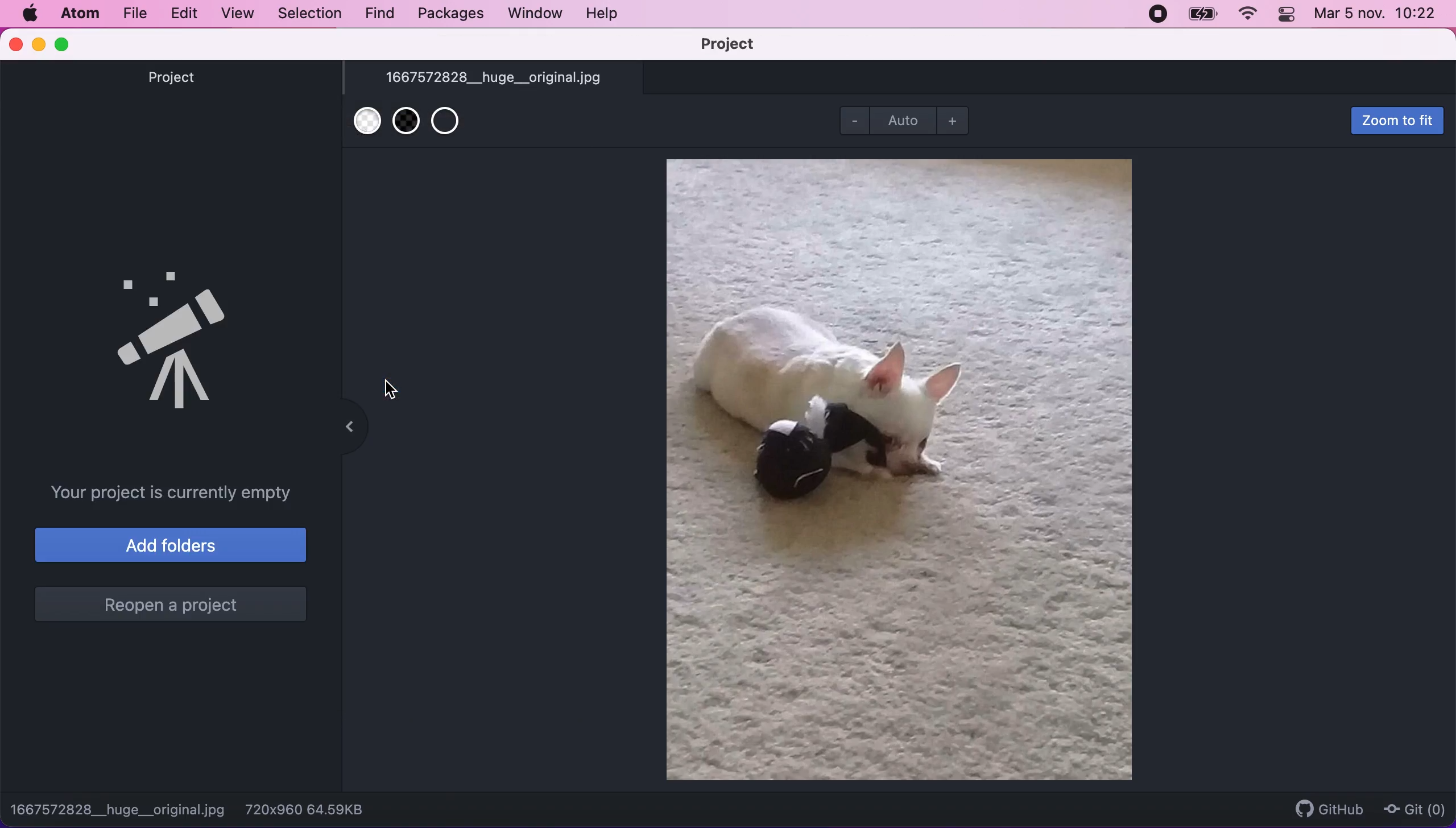  I want to click on close, so click(16, 45).